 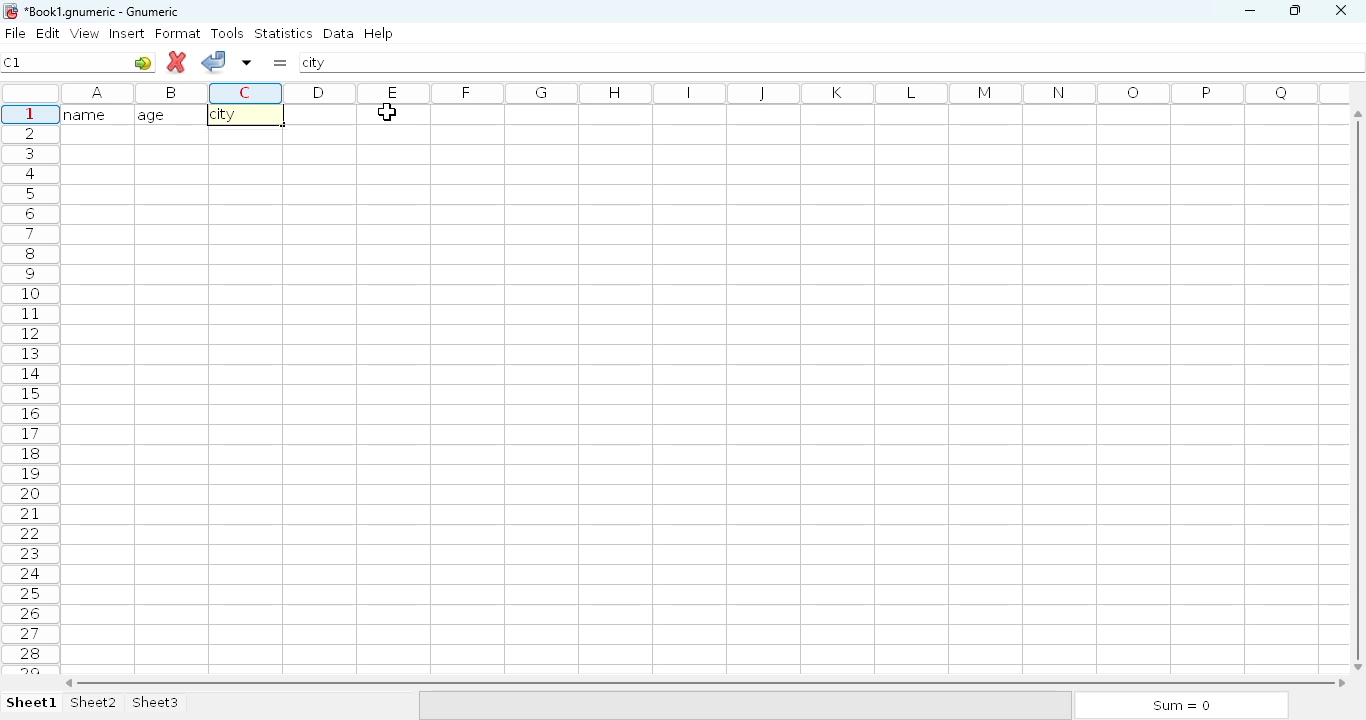 I want to click on tools, so click(x=227, y=33).